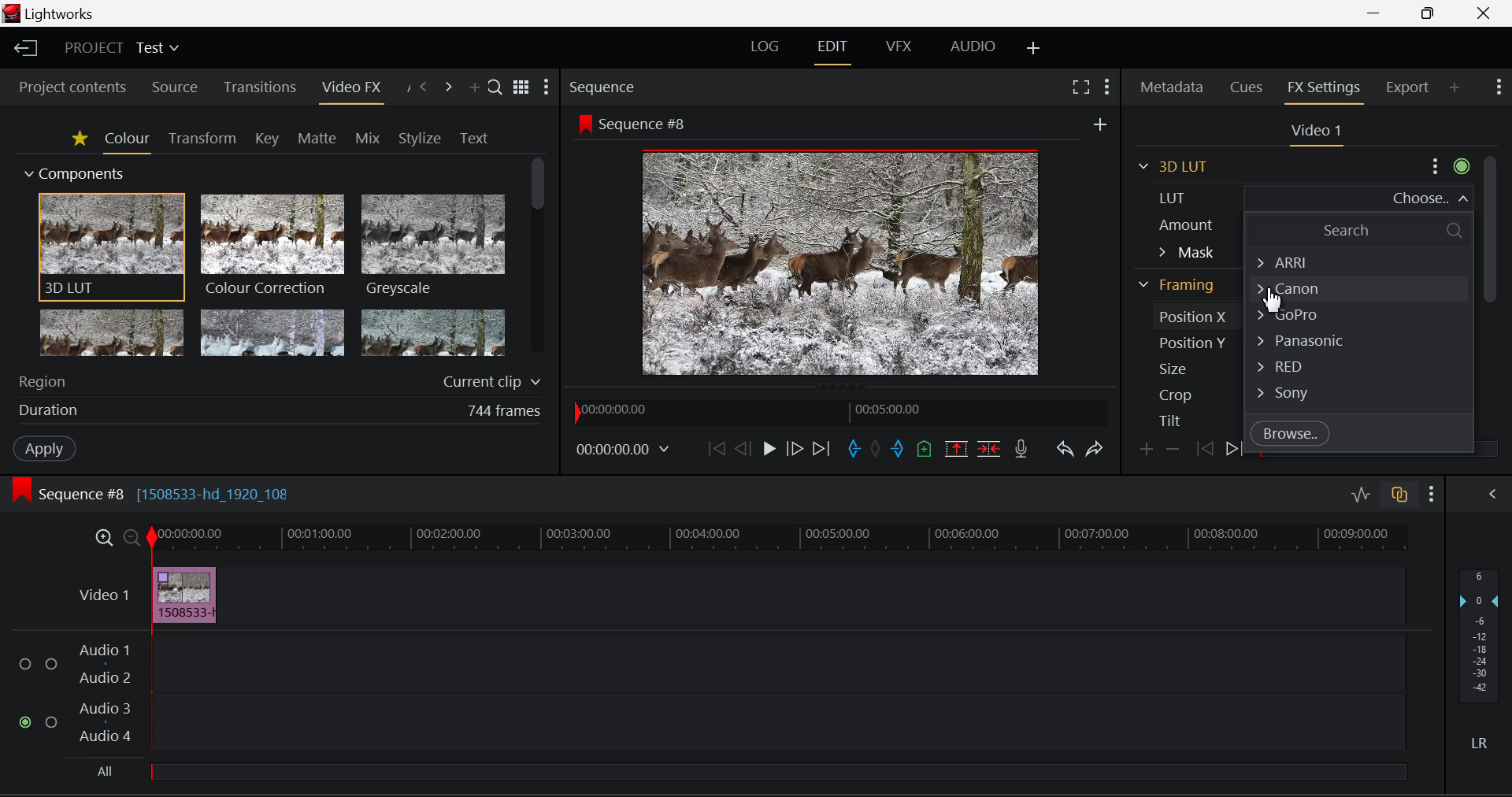  Describe the element at coordinates (417, 139) in the screenshot. I see `Stylize` at that location.